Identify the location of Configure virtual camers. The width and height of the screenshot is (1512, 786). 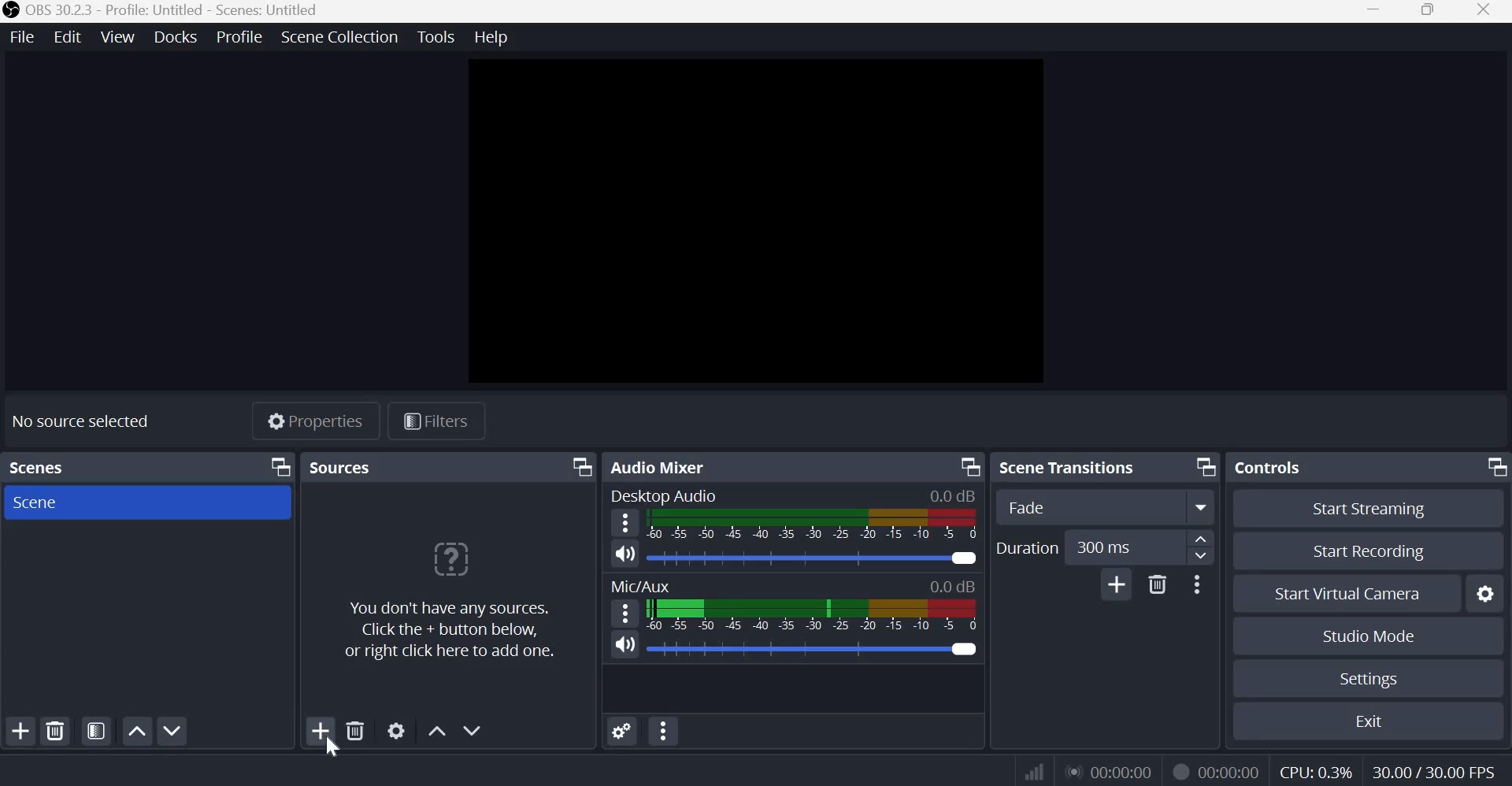
(1488, 595).